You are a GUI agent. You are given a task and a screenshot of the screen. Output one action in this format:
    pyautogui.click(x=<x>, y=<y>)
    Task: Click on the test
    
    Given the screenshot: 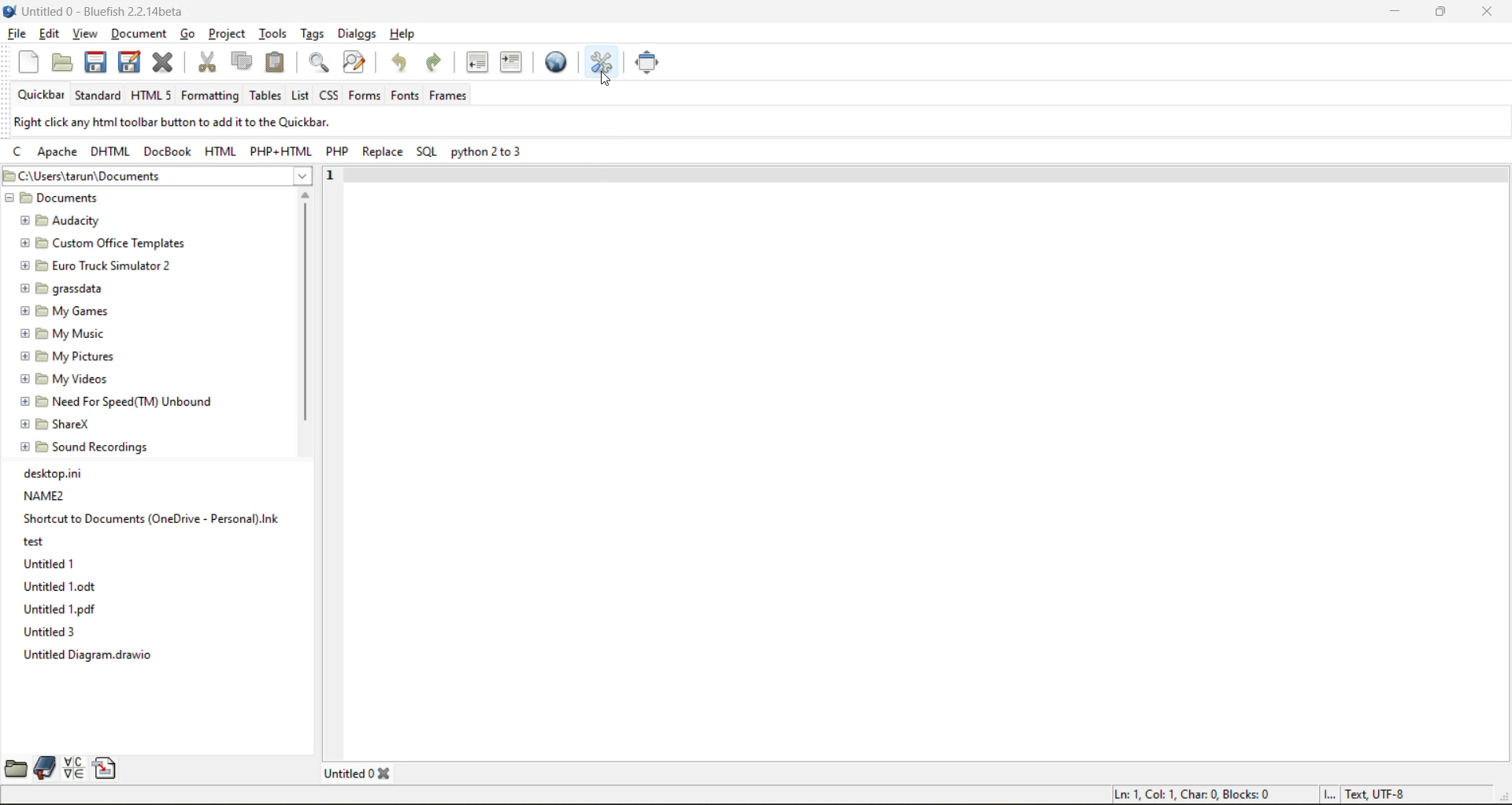 What is the action you would take?
    pyautogui.click(x=35, y=540)
    